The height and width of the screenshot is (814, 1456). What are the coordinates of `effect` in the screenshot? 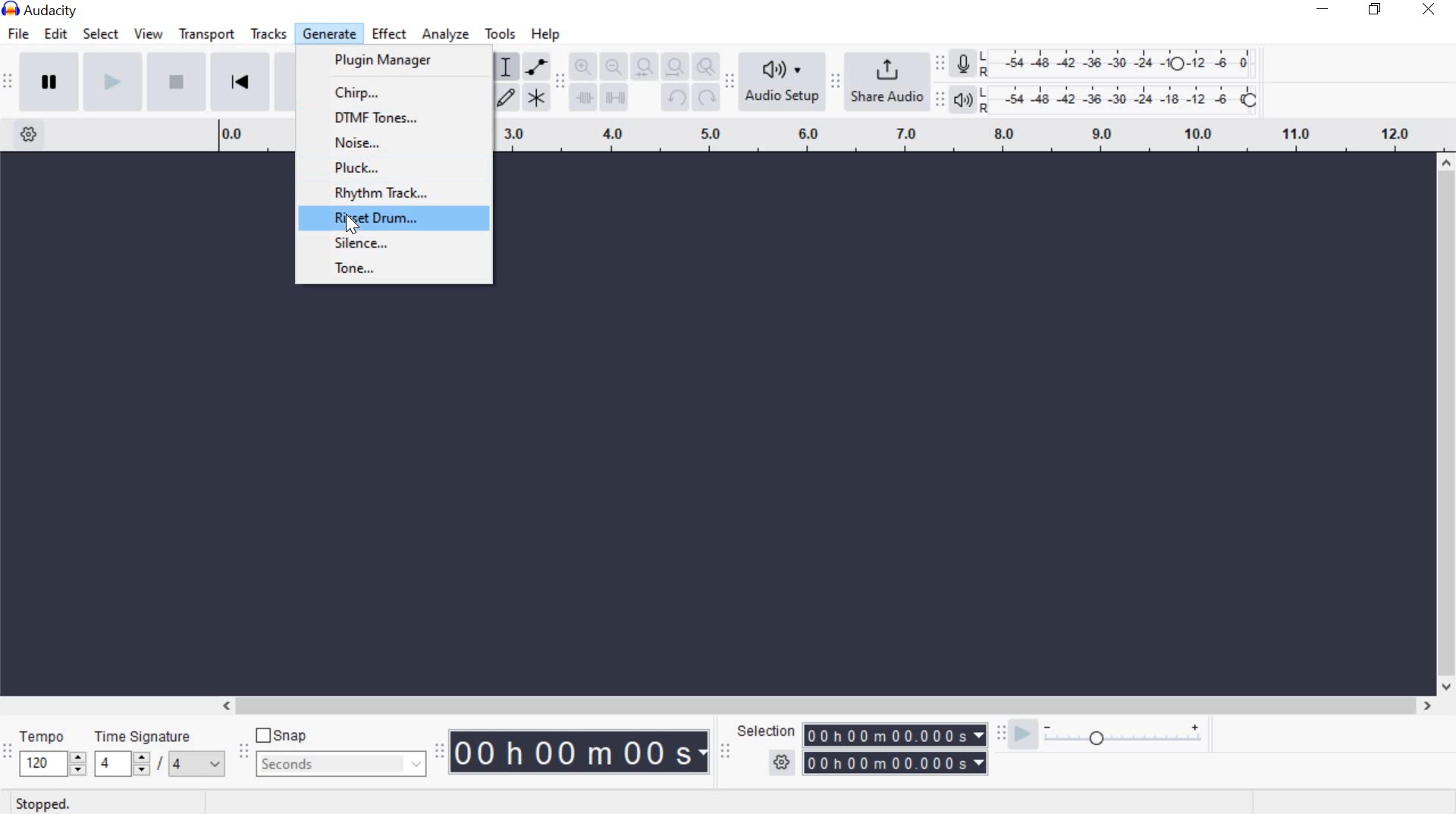 It's located at (390, 35).